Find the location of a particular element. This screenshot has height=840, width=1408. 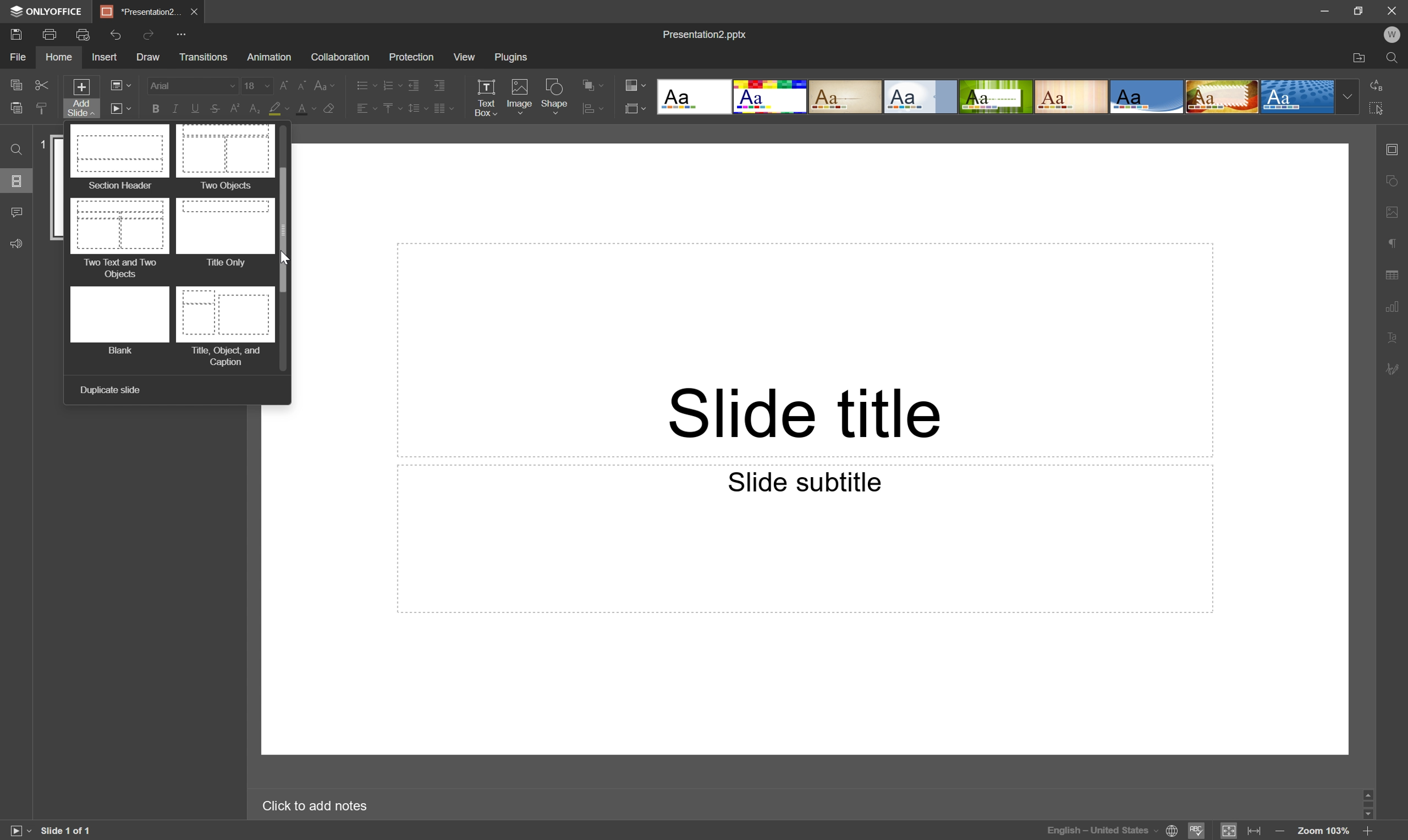

slide 1 is located at coordinates (58, 188).